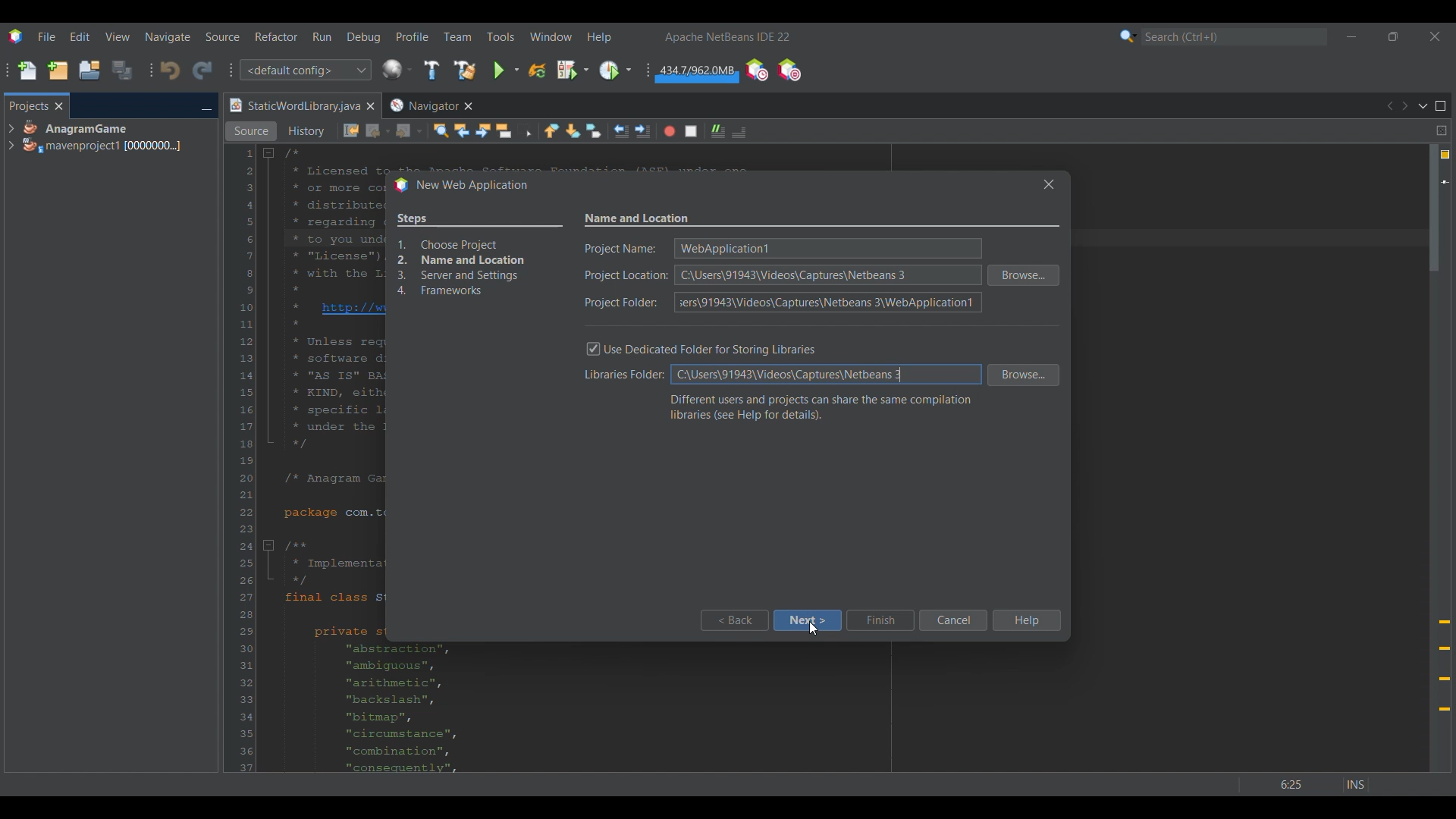  I want to click on Debug main project options, so click(573, 69).